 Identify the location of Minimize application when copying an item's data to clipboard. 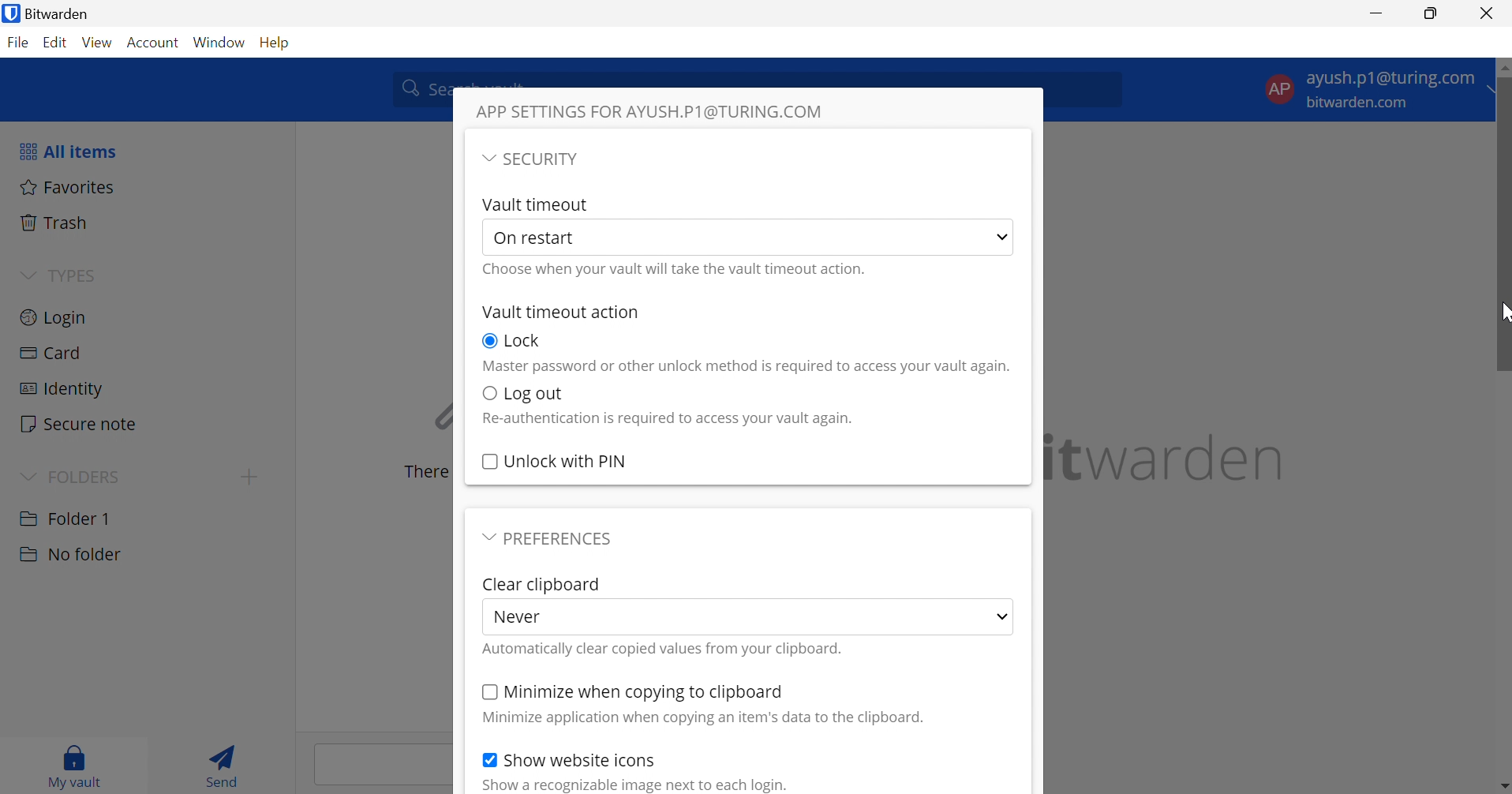
(694, 718).